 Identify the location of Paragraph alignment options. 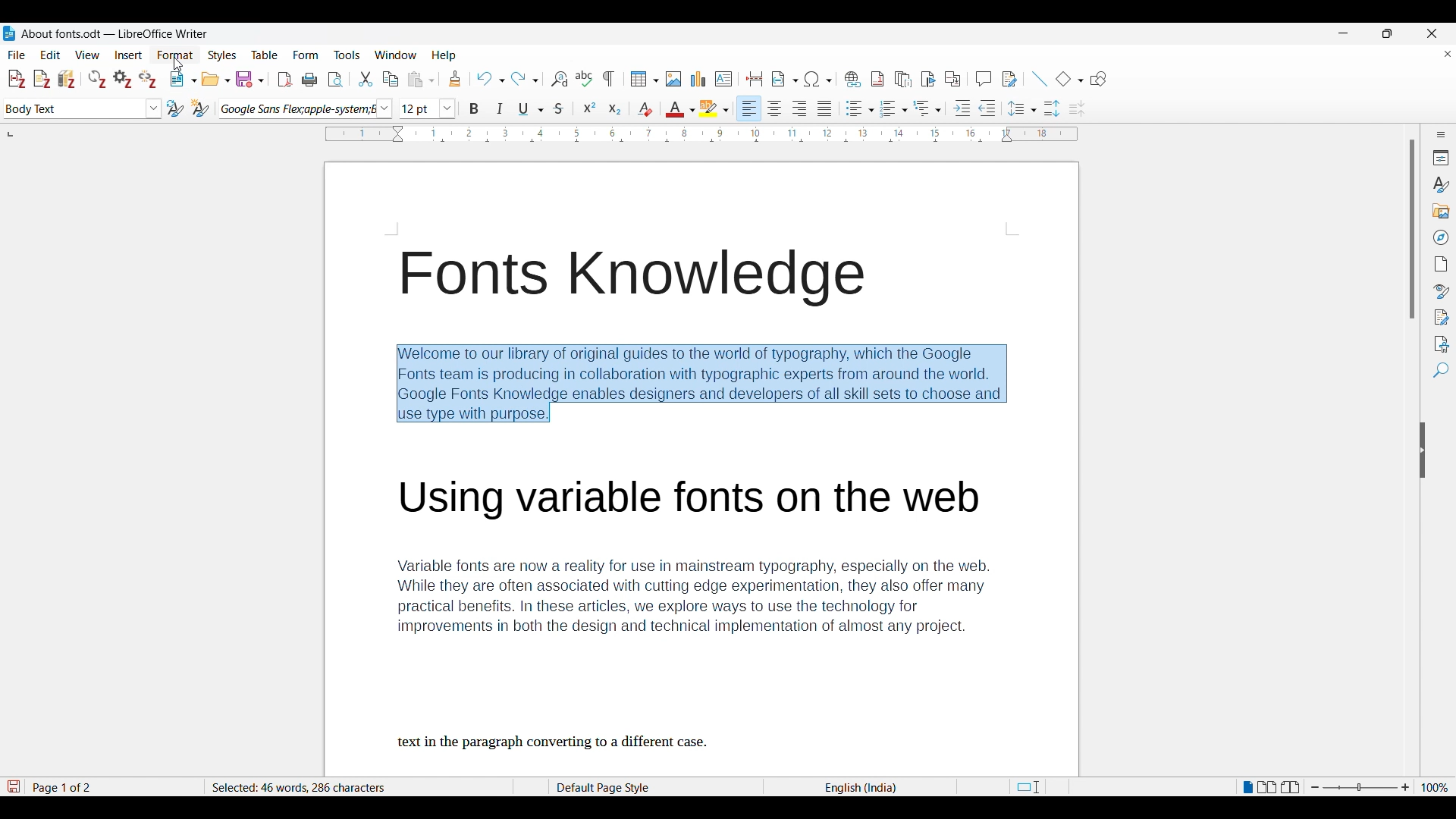
(786, 108).